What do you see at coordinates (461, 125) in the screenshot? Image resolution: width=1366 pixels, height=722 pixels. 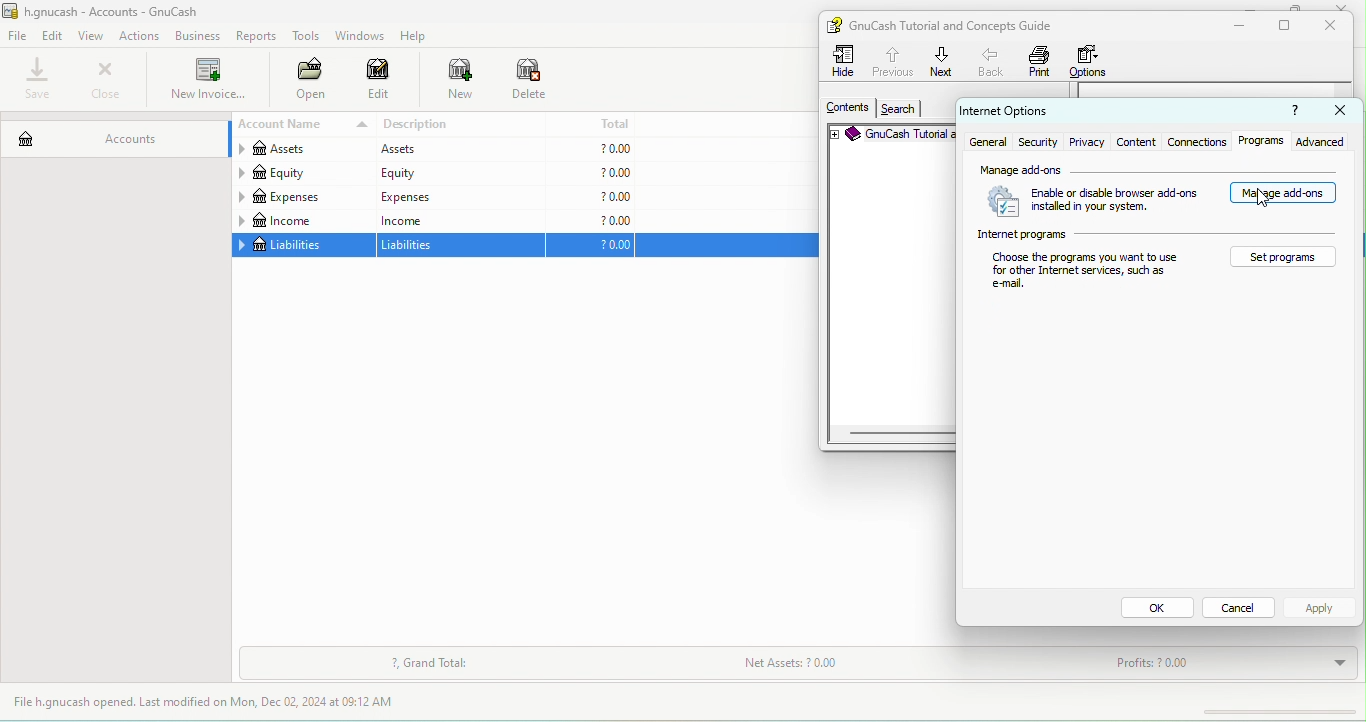 I see `description` at bounding box center [461, 125].